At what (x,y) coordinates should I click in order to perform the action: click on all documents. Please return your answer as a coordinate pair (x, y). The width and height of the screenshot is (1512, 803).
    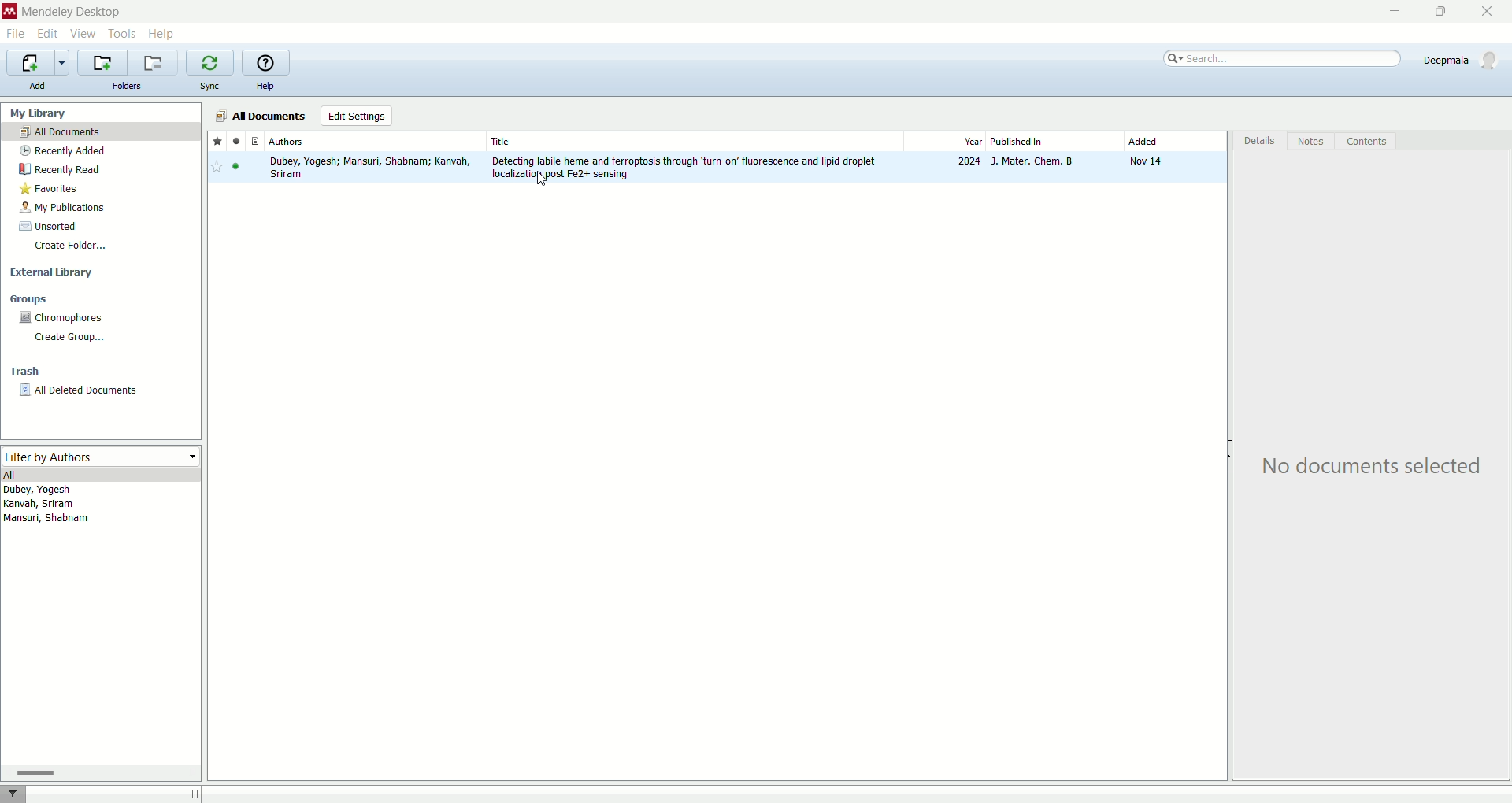
    Looking at the image, I should click on (101, 132).